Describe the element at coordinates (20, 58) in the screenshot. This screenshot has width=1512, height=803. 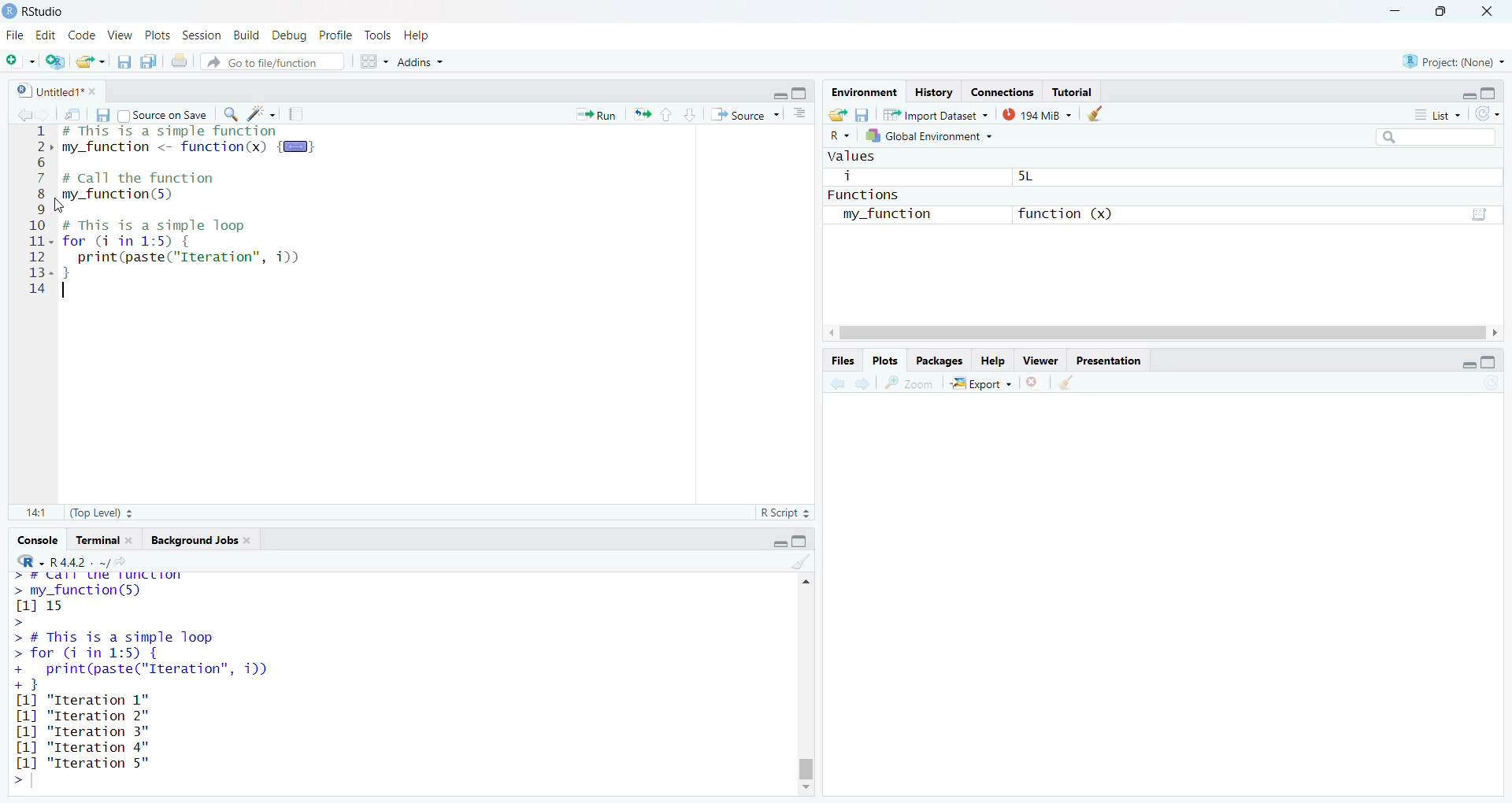
I see `new file` at that location.